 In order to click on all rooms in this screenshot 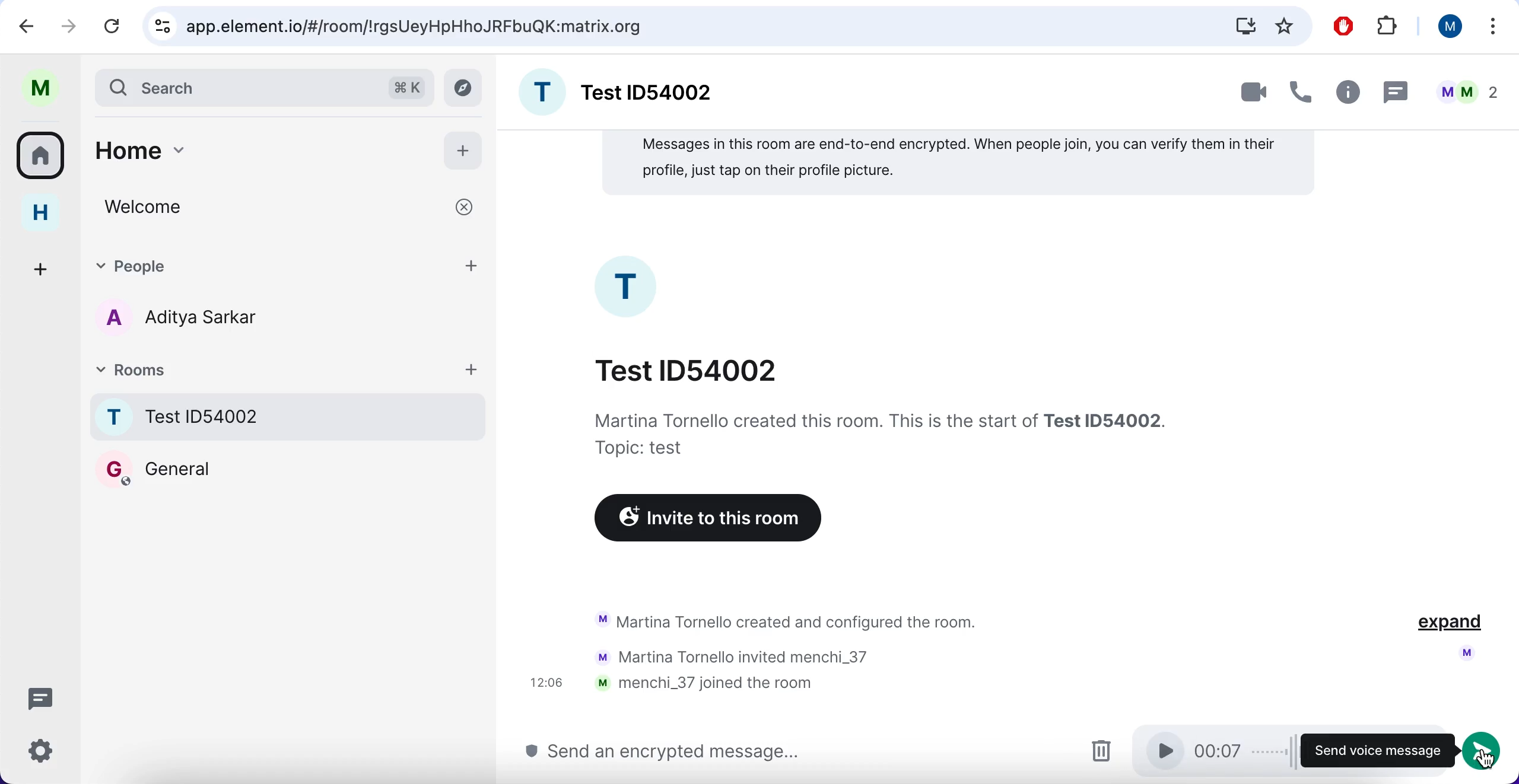, I will do `click(42, 160)`.